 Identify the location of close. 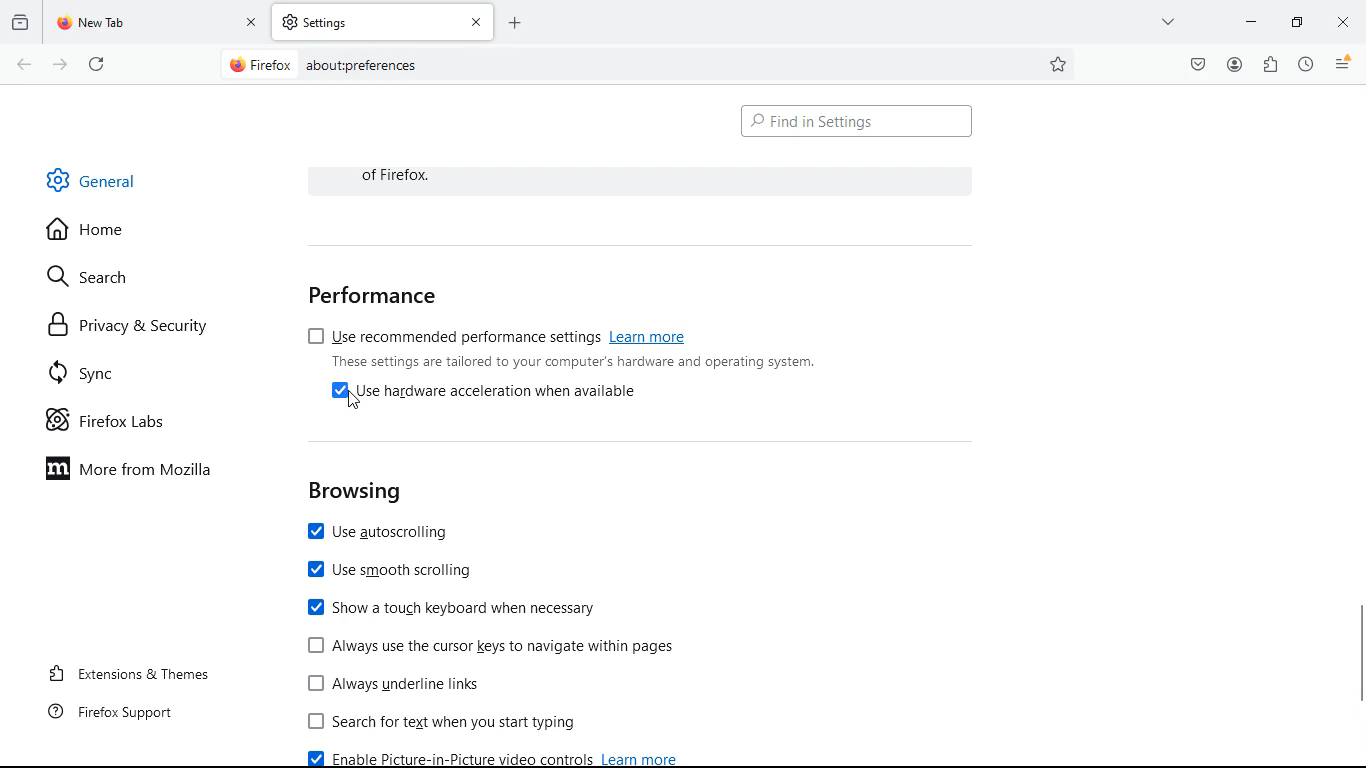
(1343, 21).